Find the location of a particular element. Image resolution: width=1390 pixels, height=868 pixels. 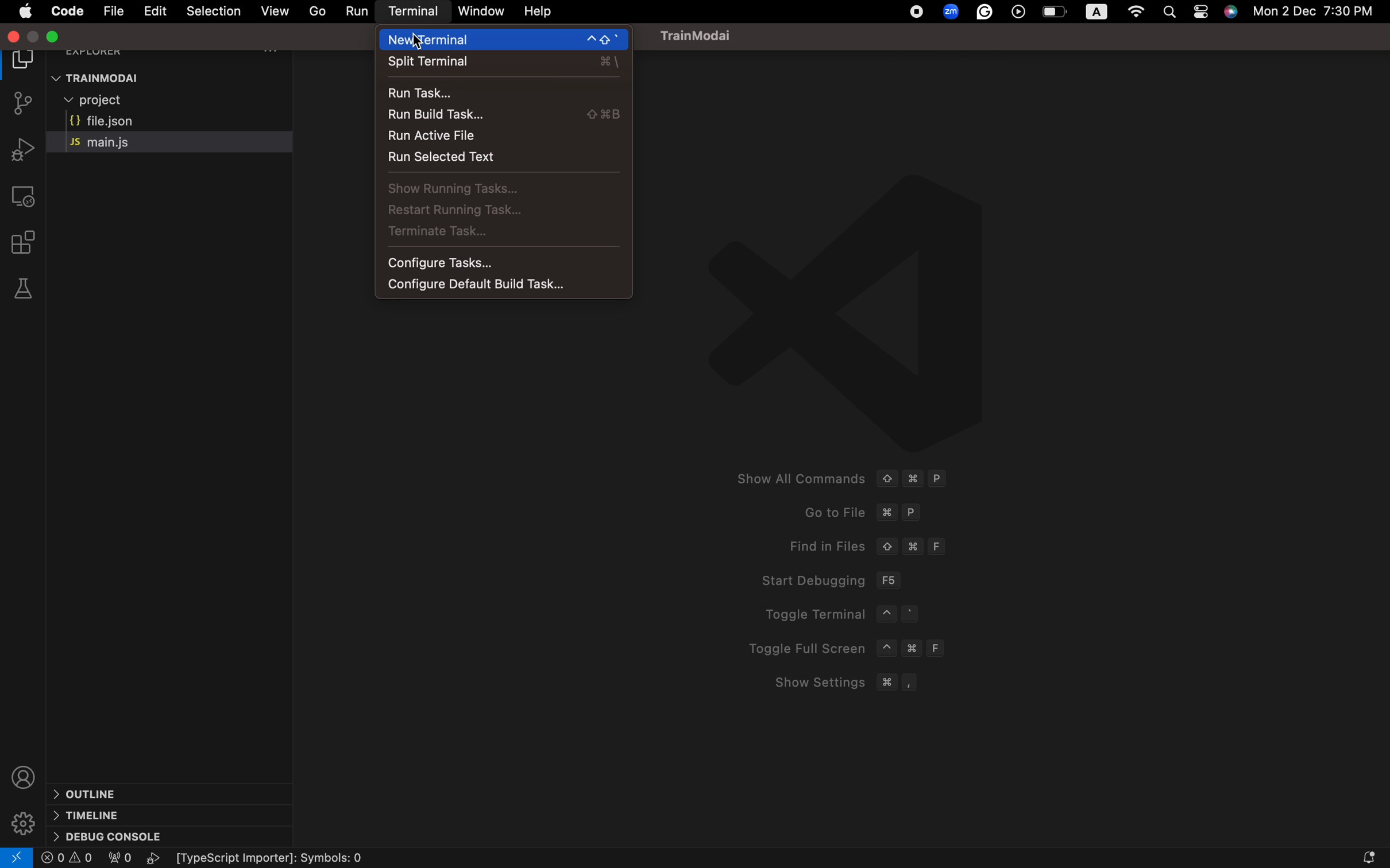

Strat debugging is located at coordinates (828, 579).